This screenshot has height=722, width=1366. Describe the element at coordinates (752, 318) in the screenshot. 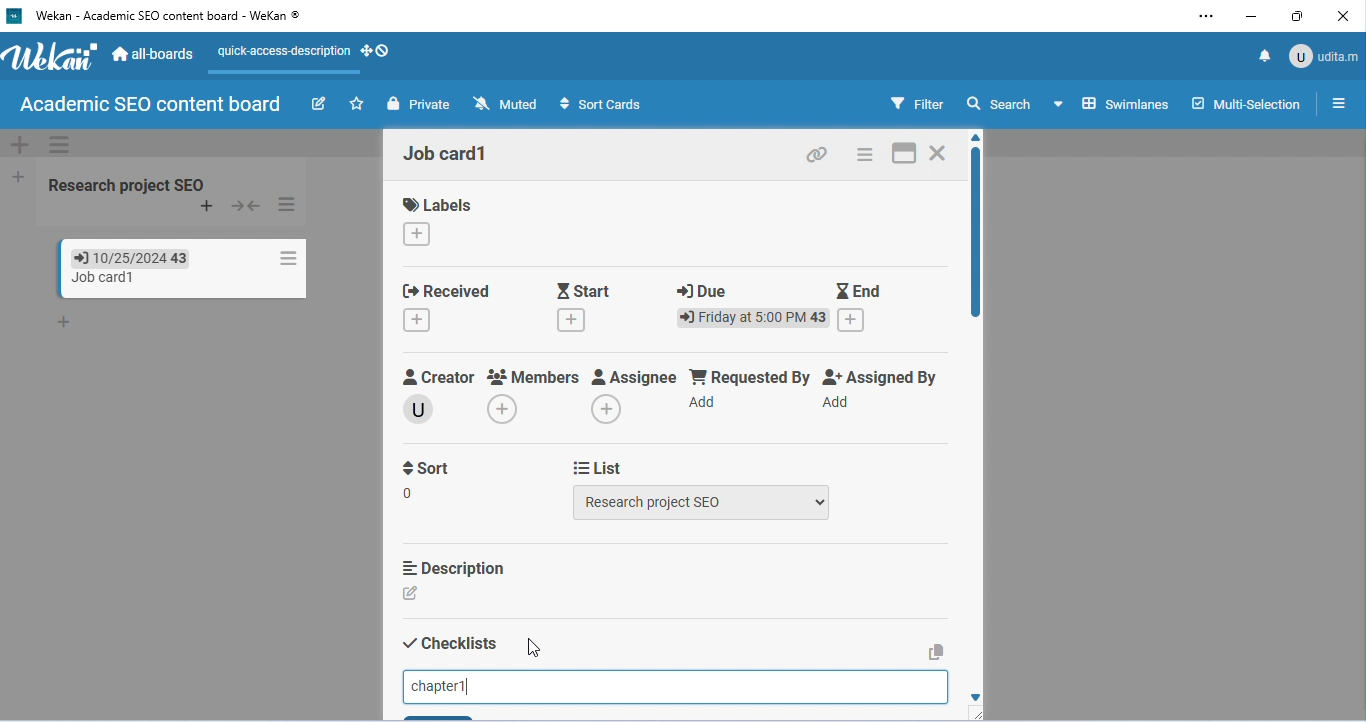

I see `due date and time` at that location.